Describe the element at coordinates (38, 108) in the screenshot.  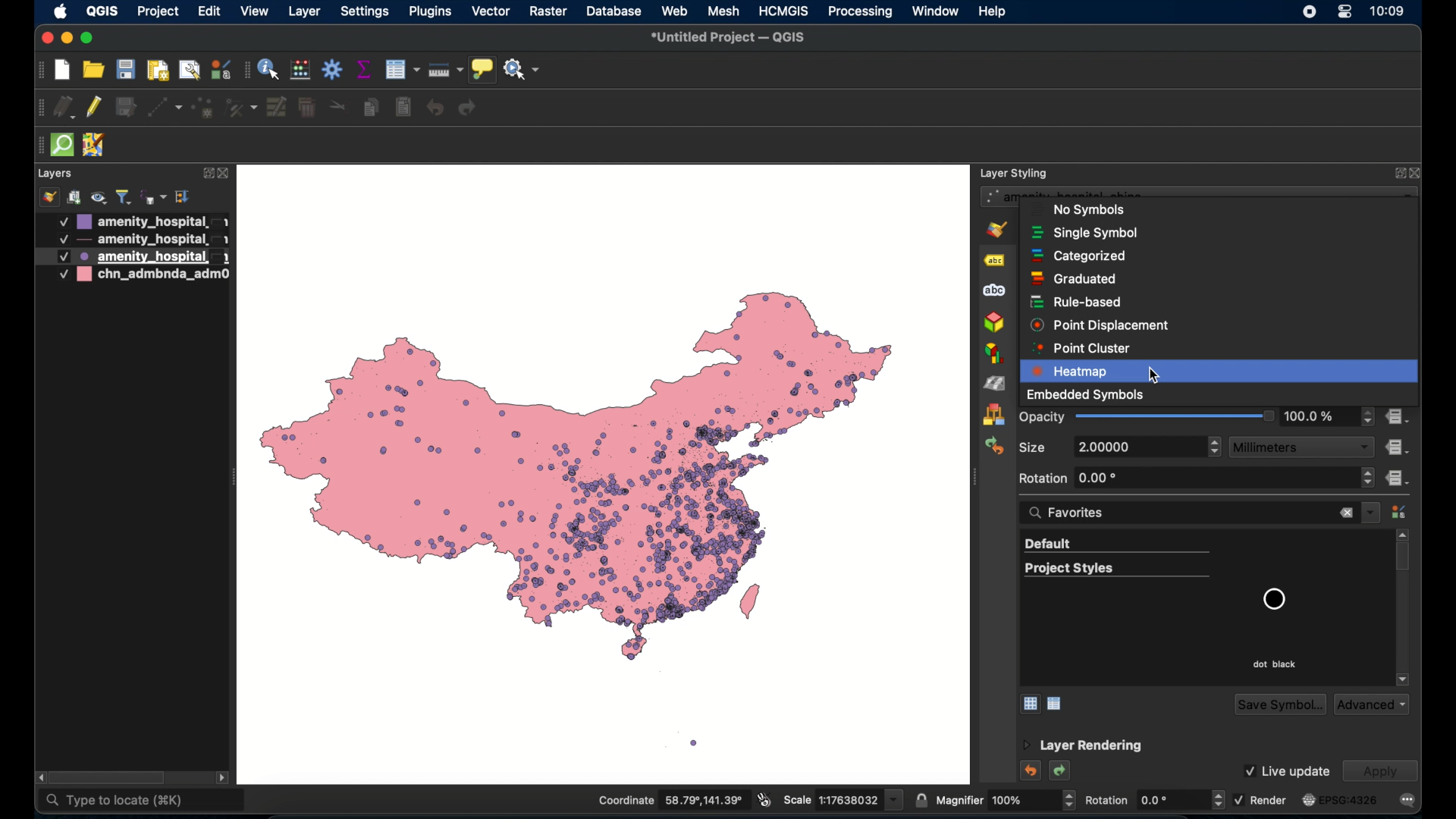
I see `digitizing with segment` at that location.